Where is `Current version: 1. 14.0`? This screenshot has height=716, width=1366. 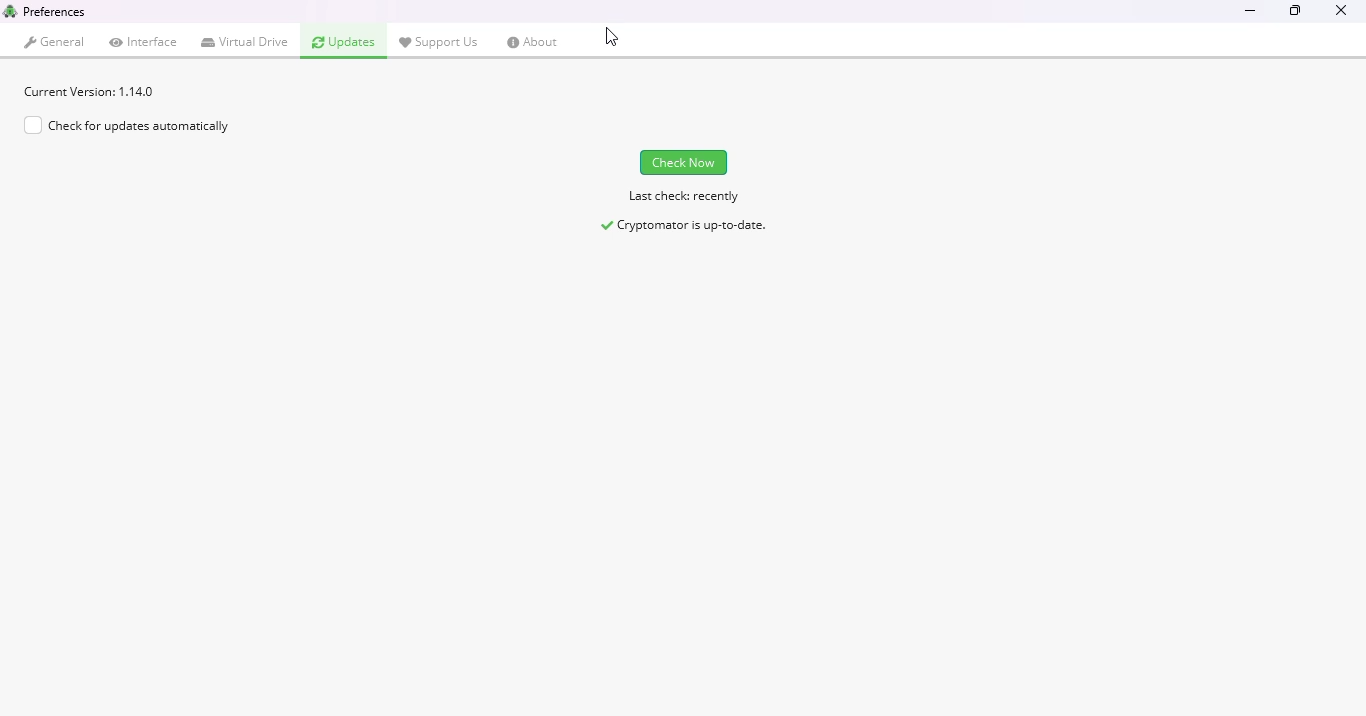 Current version: 1. 14.0 is located at coordinates (90, 91).